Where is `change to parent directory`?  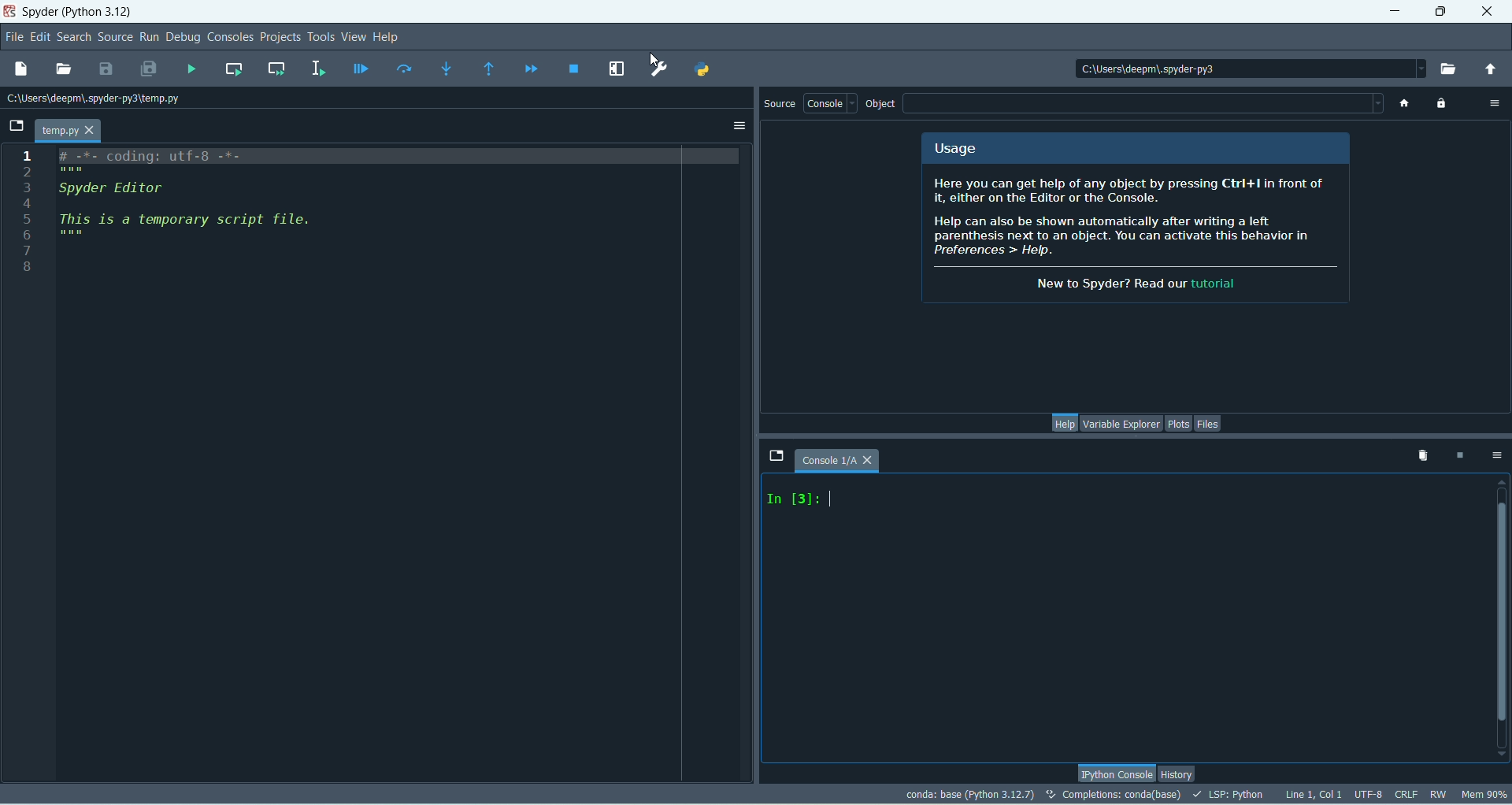
change to parent directory is located at coordinates (1491, 70).